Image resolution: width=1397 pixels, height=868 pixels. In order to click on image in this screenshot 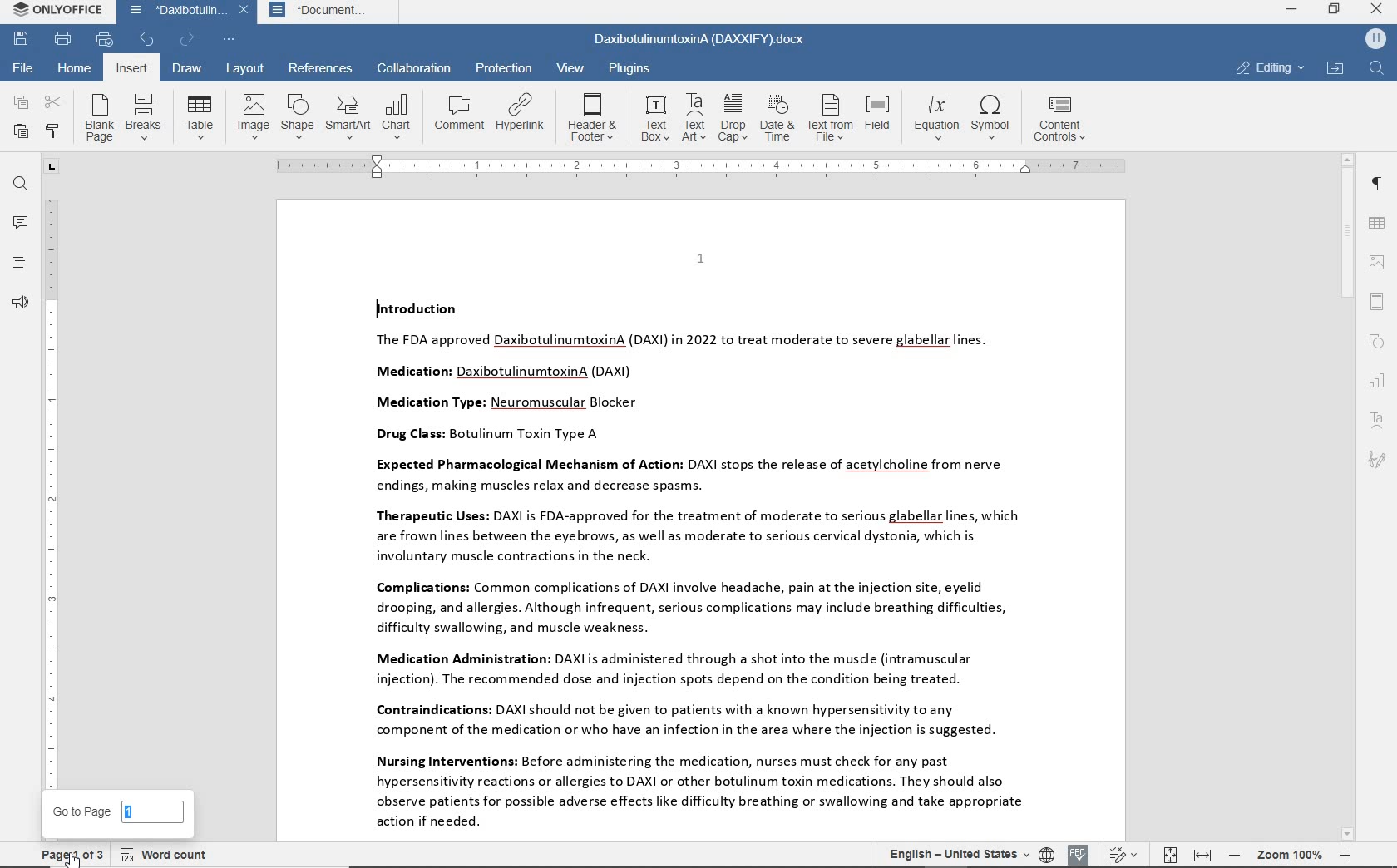, I will do `click(1379, 262)`.